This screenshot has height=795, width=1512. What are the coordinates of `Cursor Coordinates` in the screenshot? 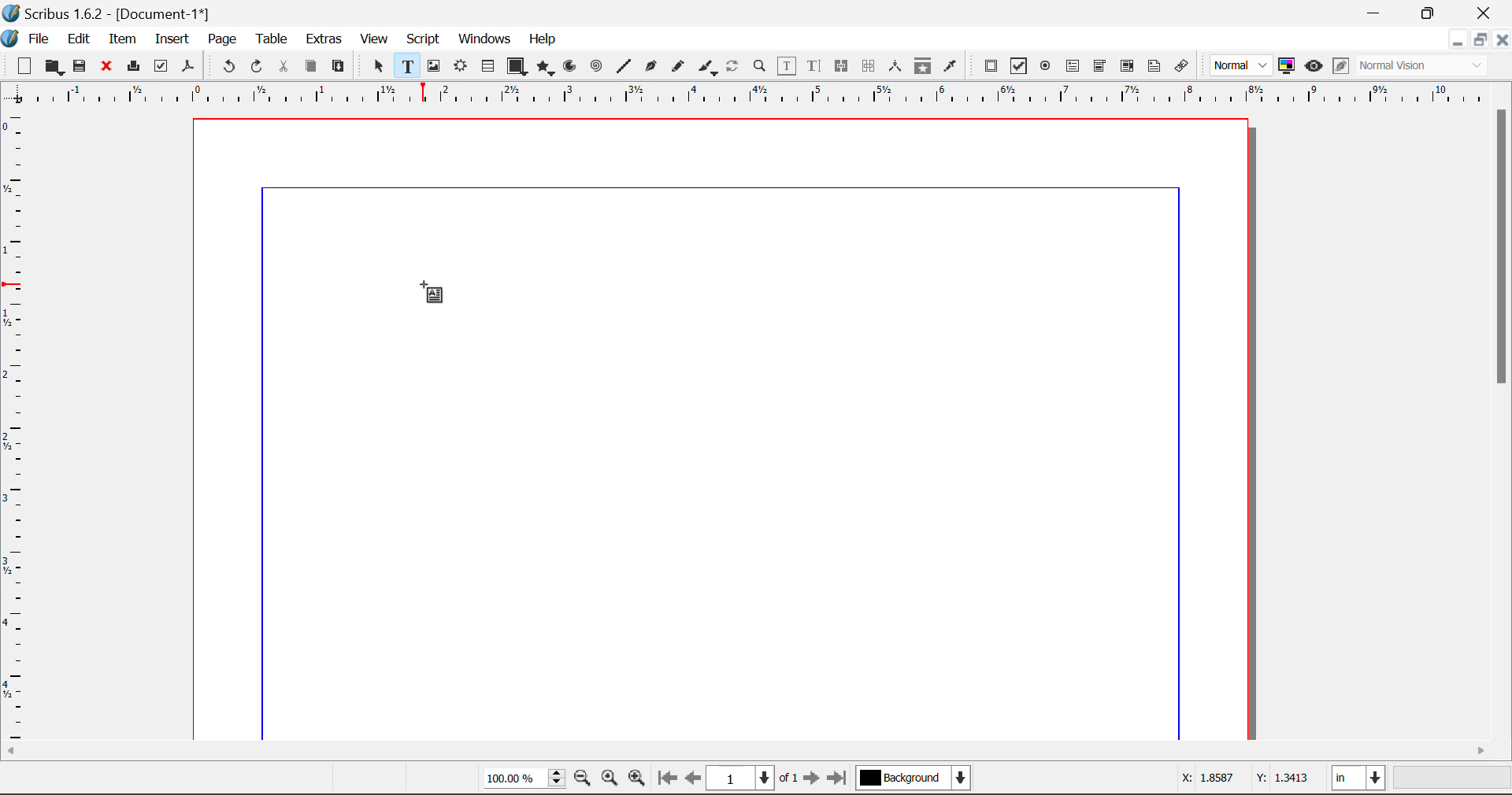 It's located at (1247, 780).